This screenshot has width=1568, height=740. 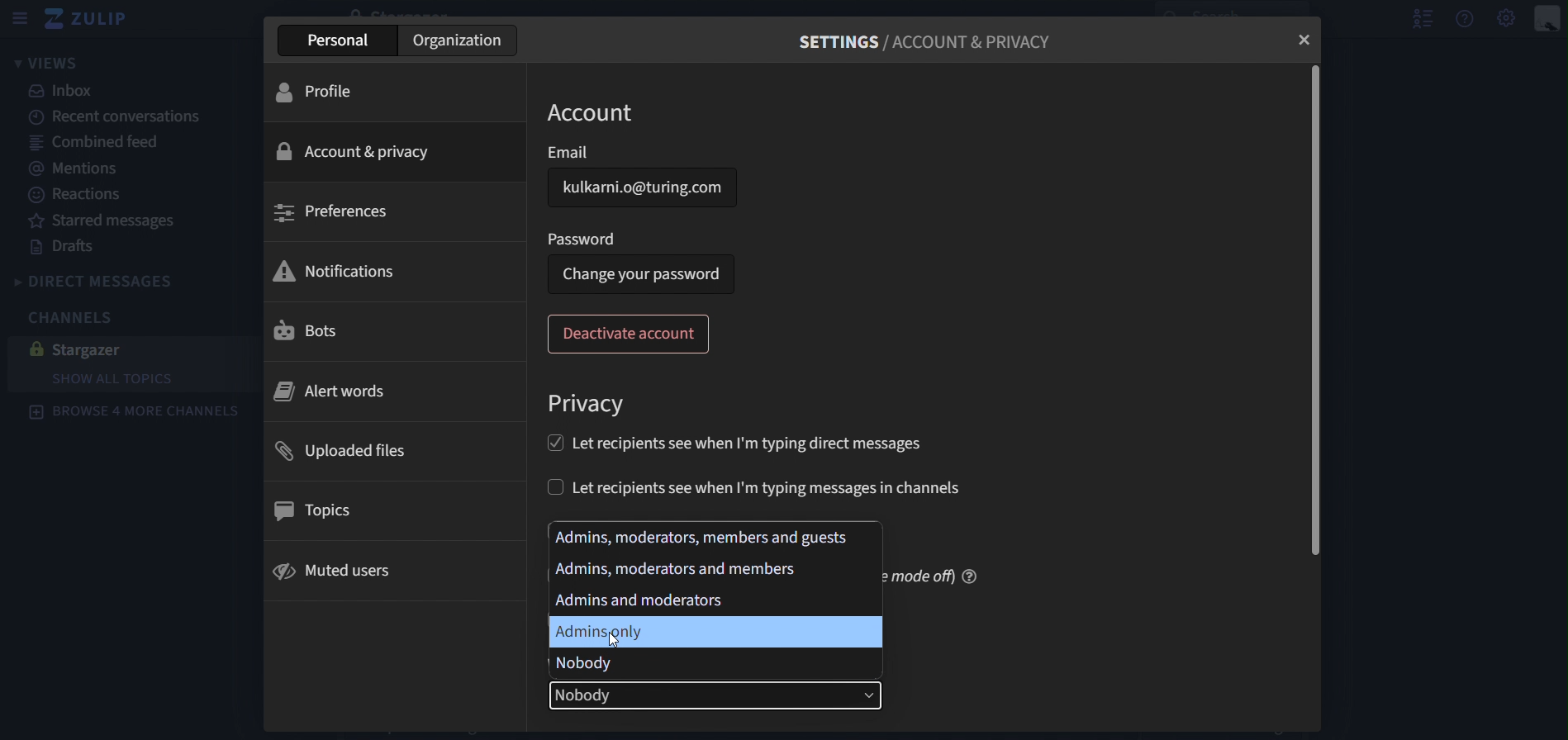 I want to click on starred messages, so click(x=111, y=221).